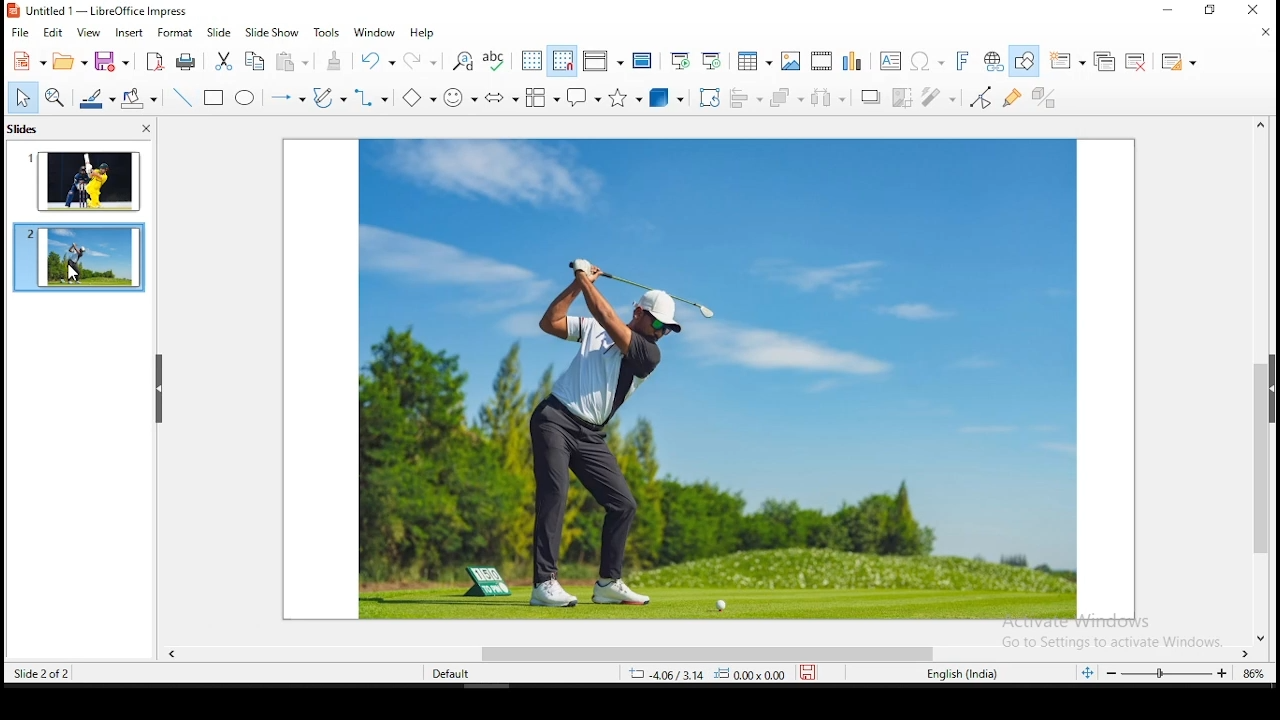 The width and height of the screenshot is (1280, 720). What do you see at coordinates (224, 60) in the screenshot?
I see `cut` at bounding box center [224, 60].